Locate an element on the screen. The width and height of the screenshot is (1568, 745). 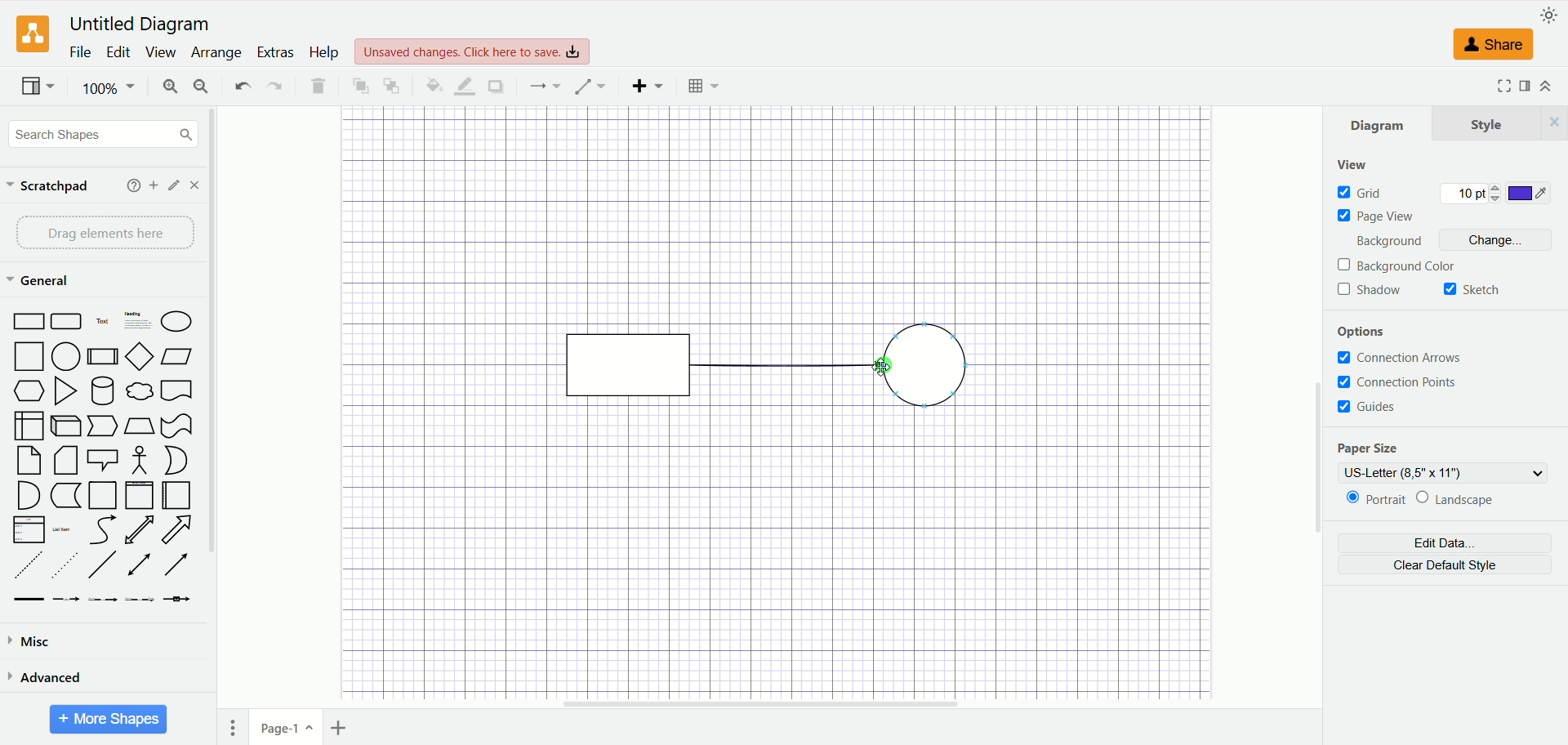
Diamond is located at coordinates (140, 358).